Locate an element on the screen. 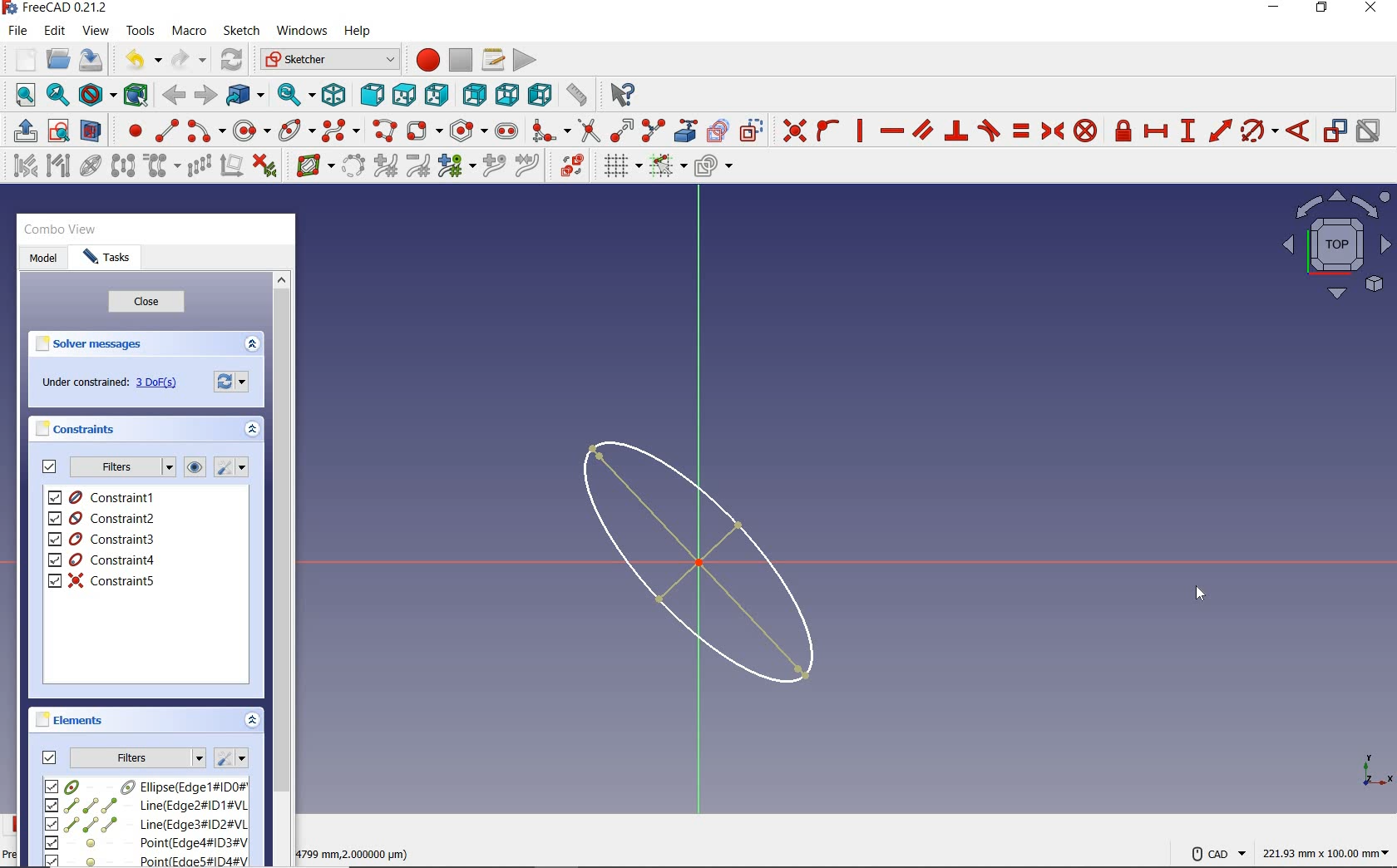 This screenshot has height=868, width=1397. front is located at coordinates (368, 95).